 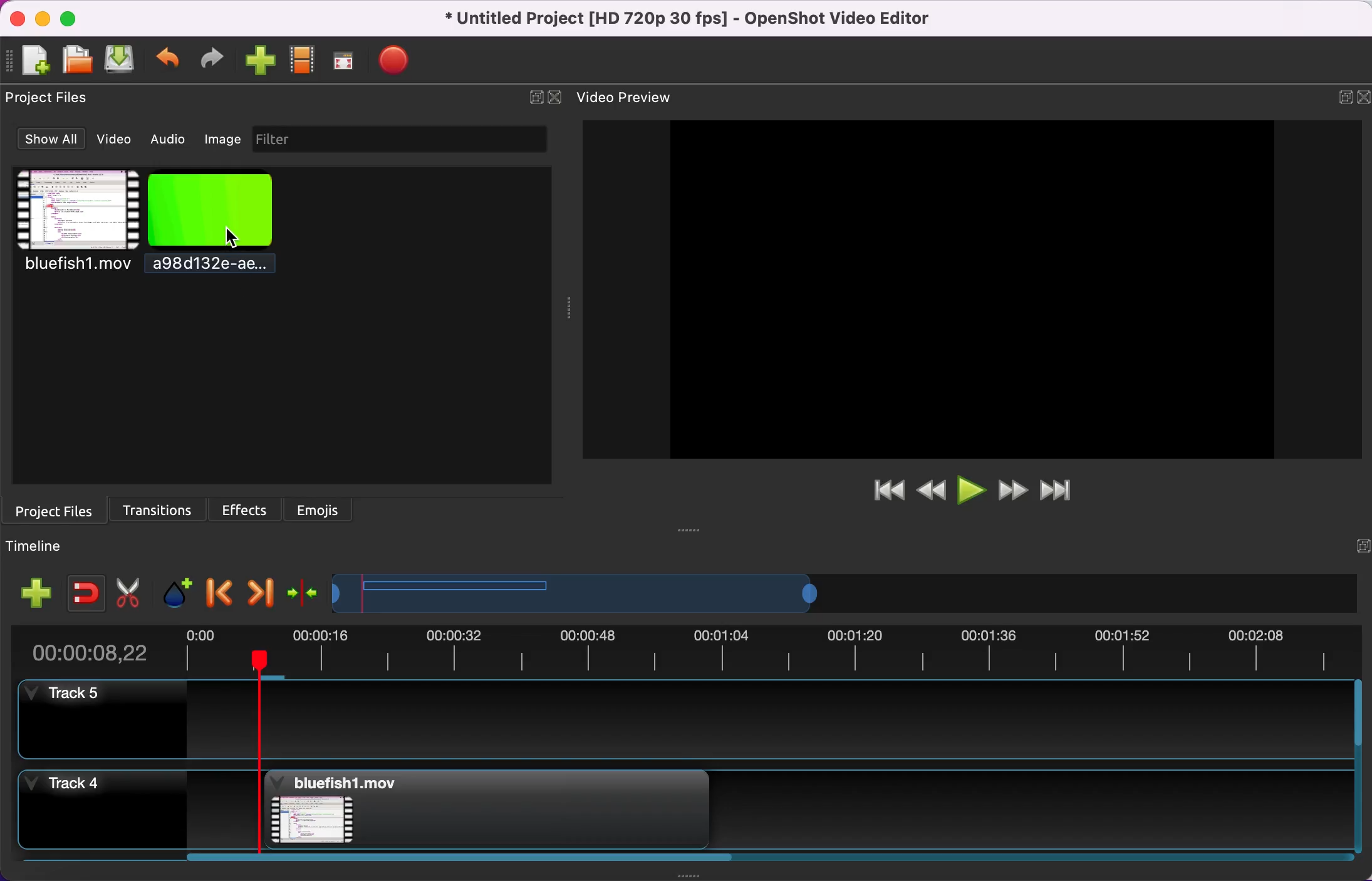 I want to click on enable snapping, so click(x=84, y=590).